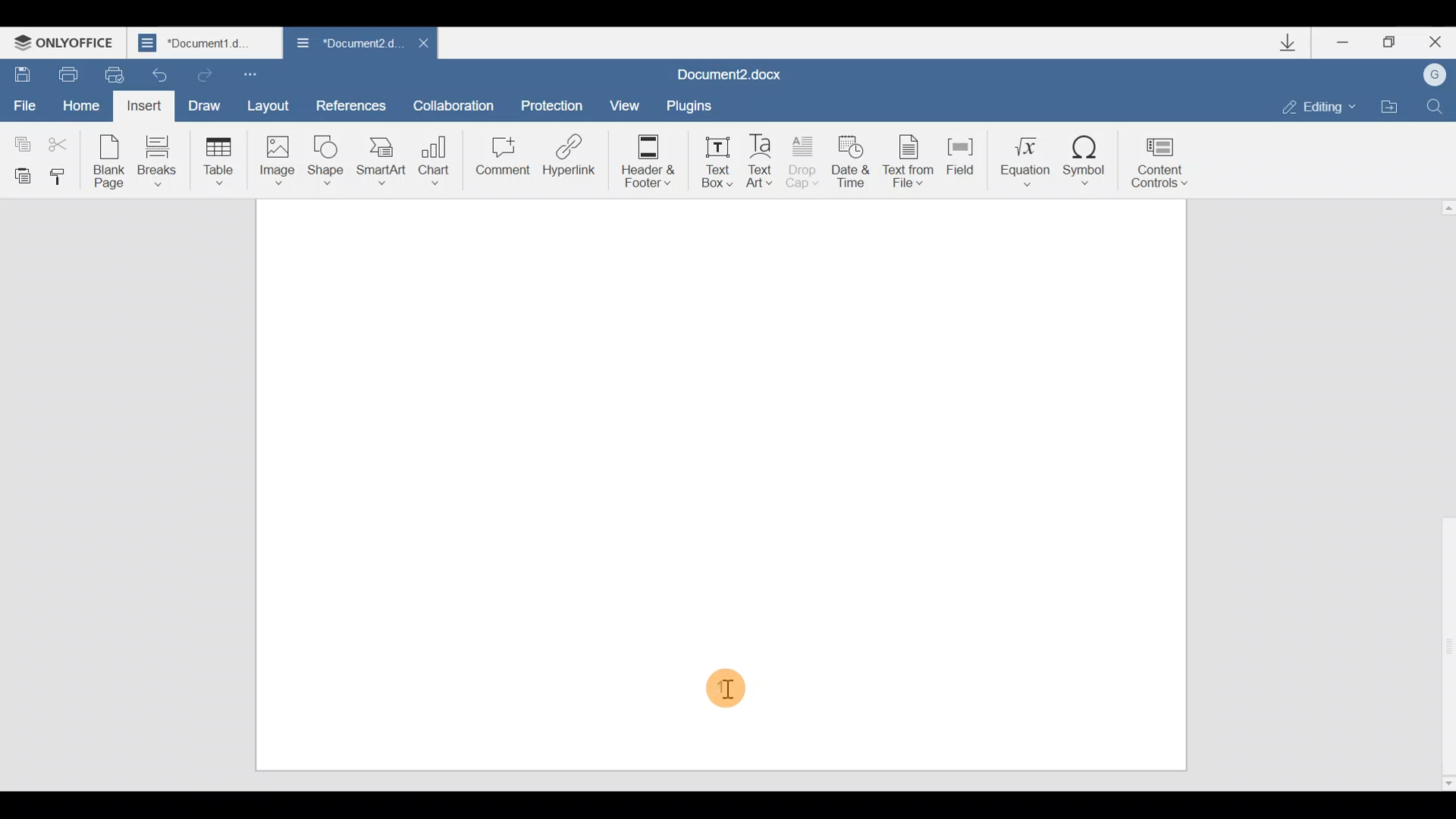 The image size is (1456, 819). I want to click on Cut, so click(62, 145).